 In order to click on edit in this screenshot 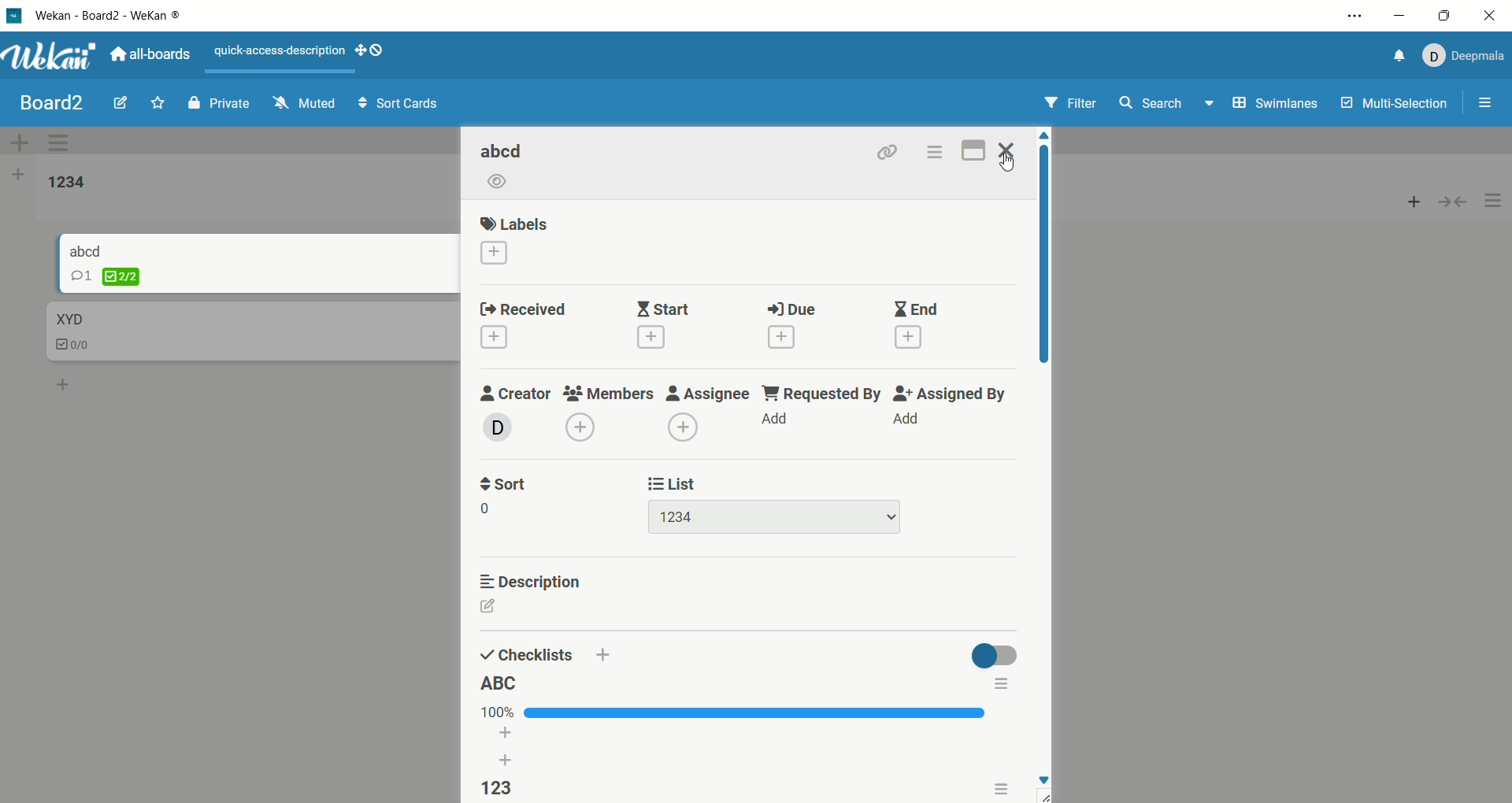, I will do `click(114, 103)`.